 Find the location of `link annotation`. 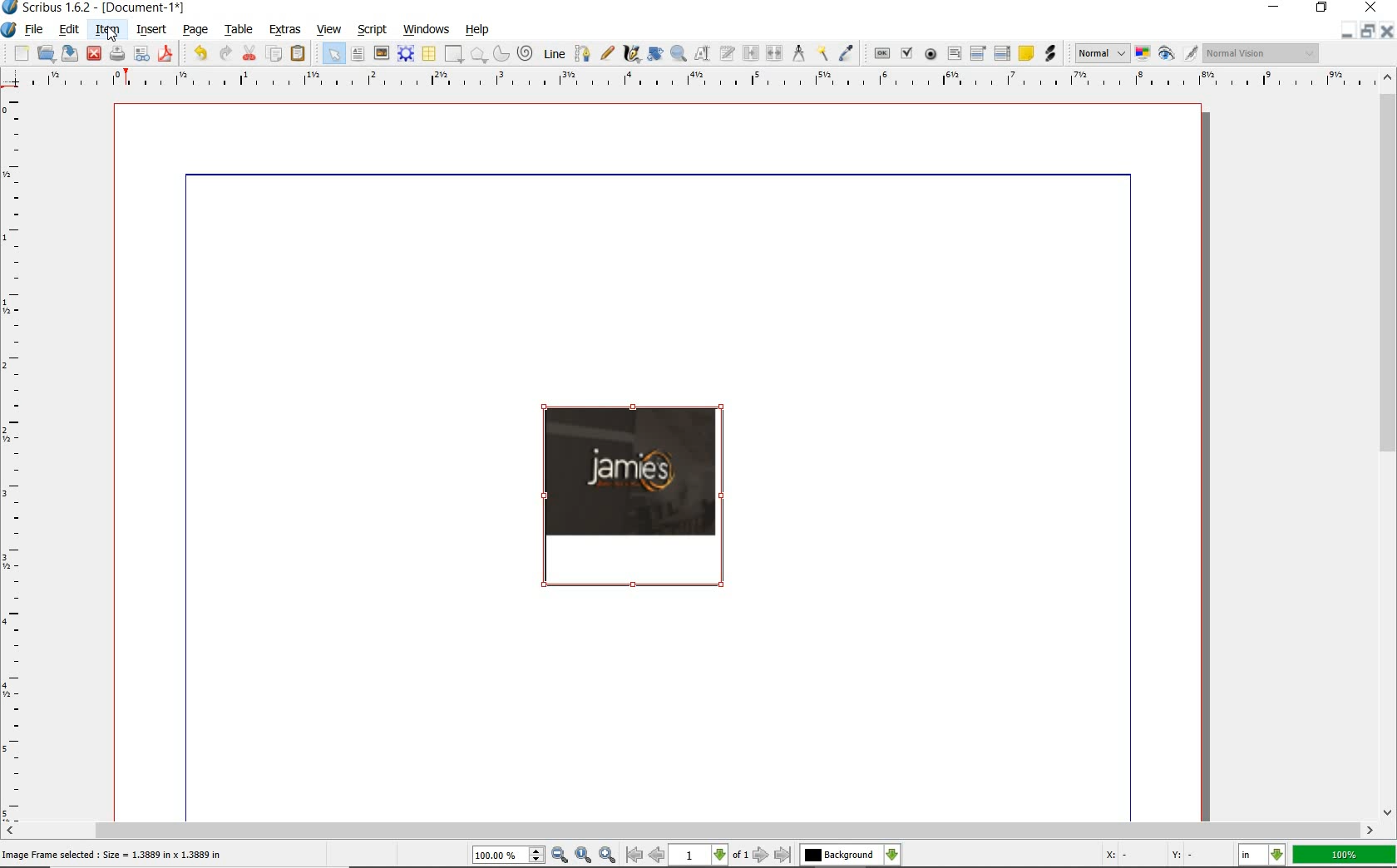

link annotation is located at coordinates (1050, 55).